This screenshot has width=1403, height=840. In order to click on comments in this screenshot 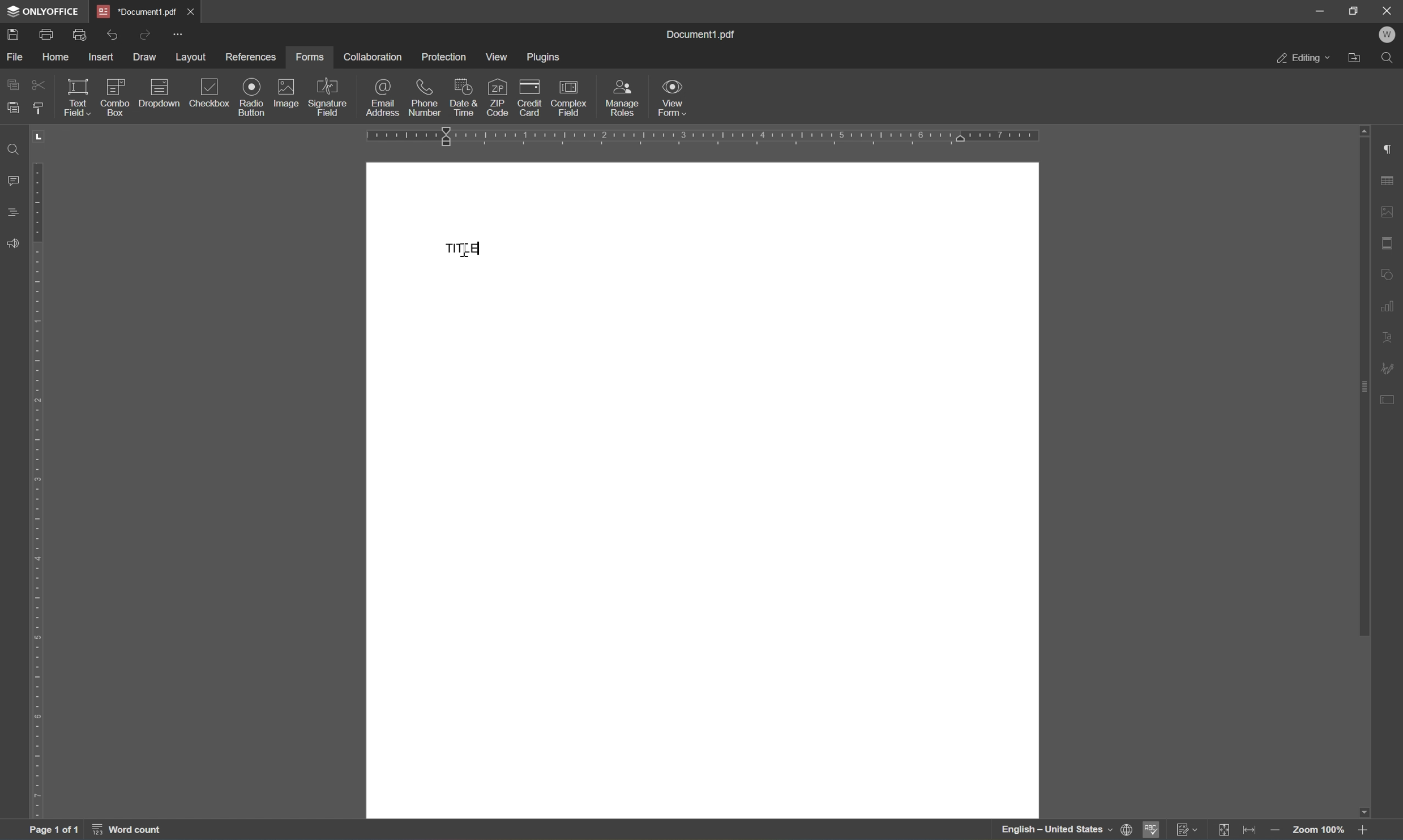, I will do `click(11, 181)`.